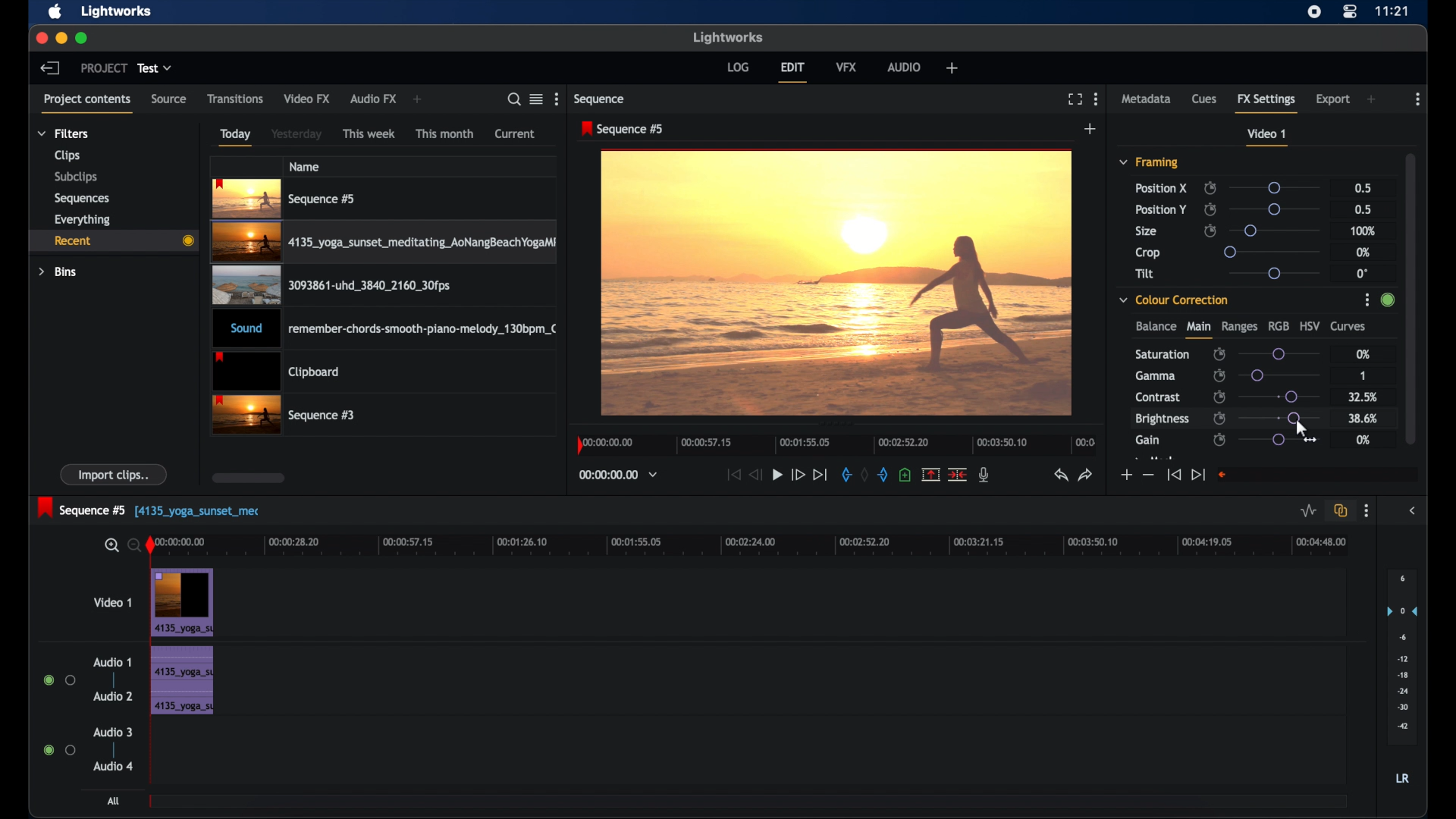 The height and width of the screenshot is (819, 1456). Describe the element at coordinates (184, 603) in the screenshot. I see `video clip` at that location.